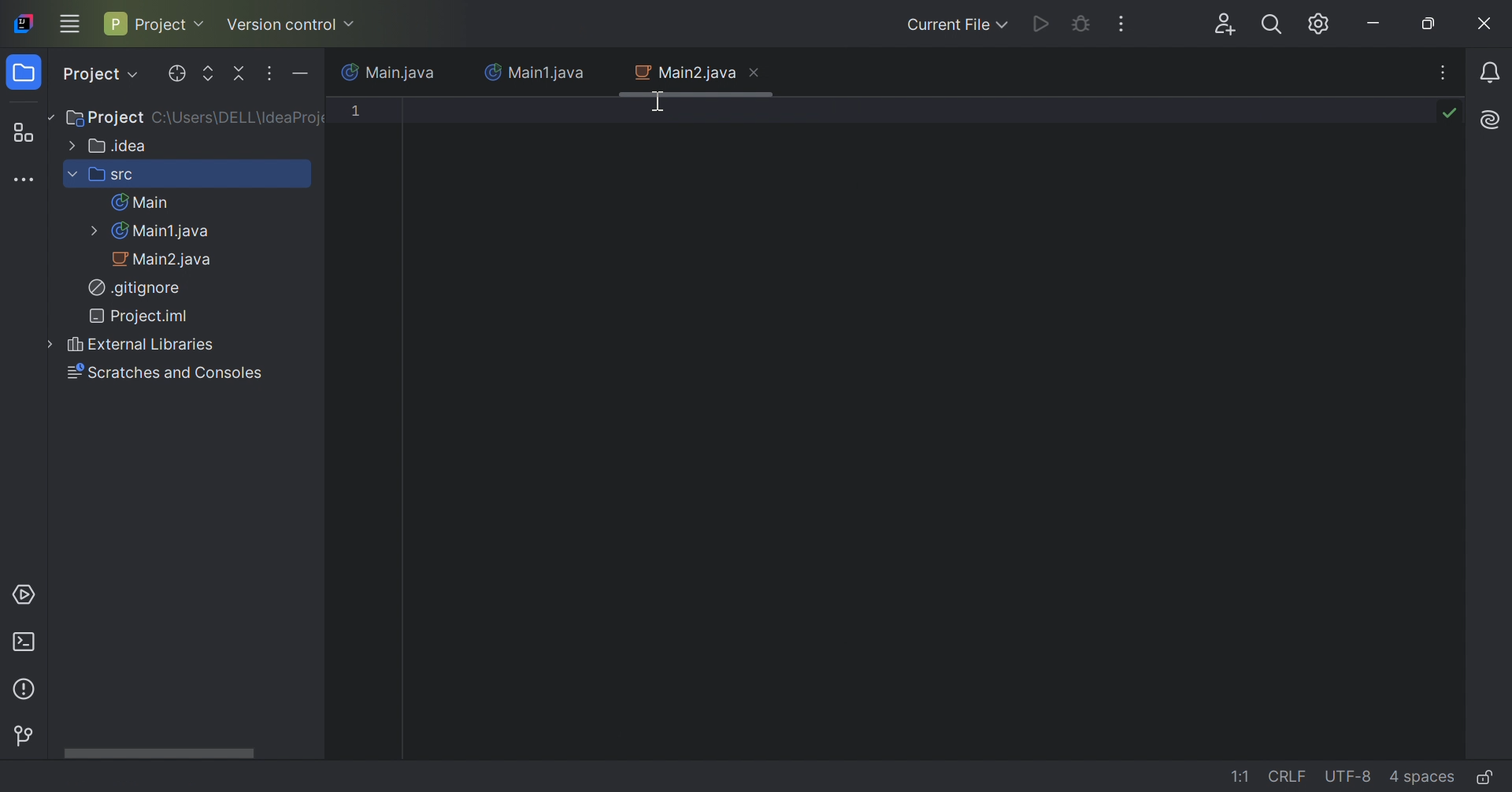  Describe the element at coordinates (28, 687) in the screenshot. I see `Problems` at that location.